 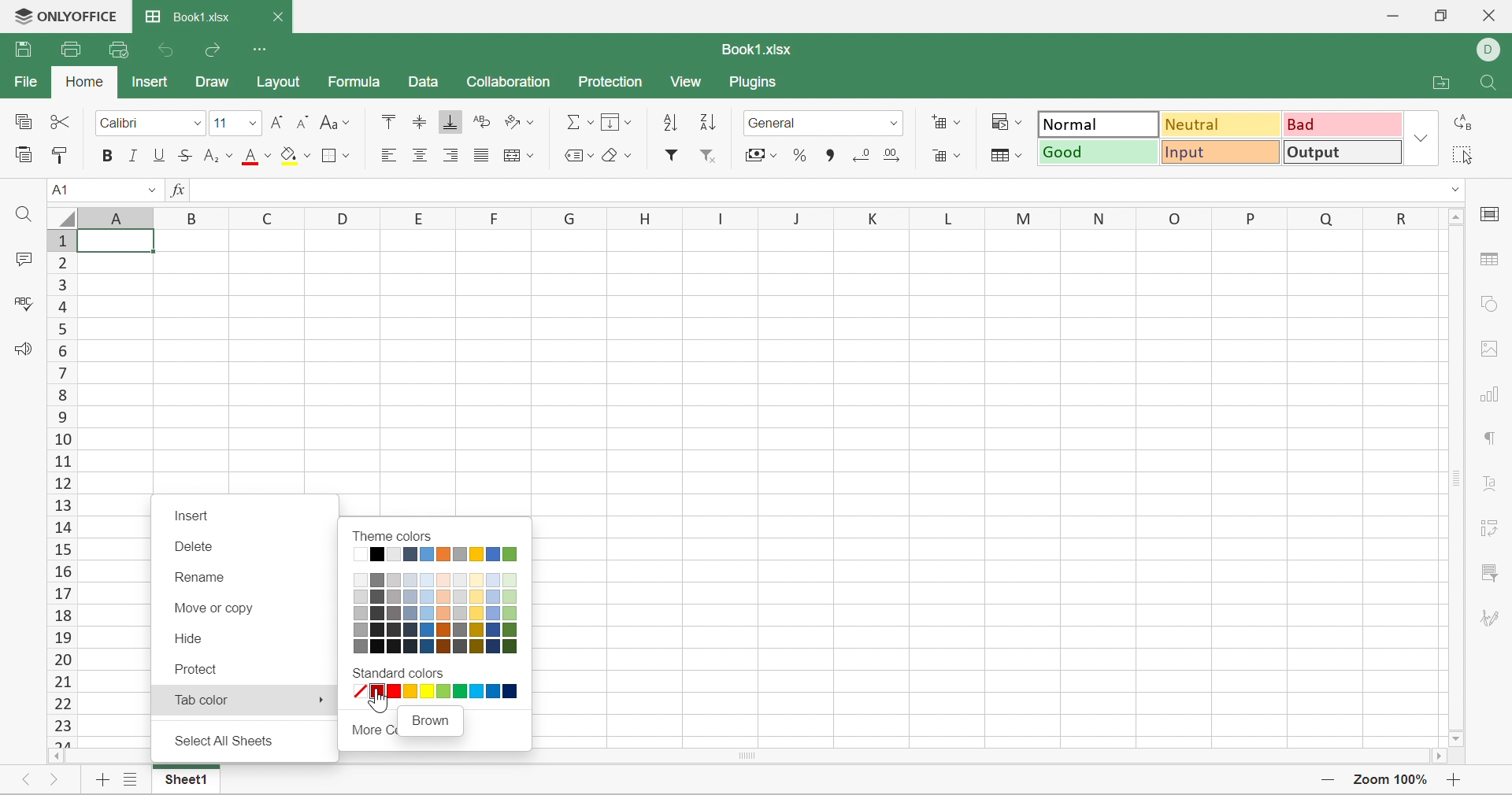 I want to click on Fill color, so click(x=295, y=156).